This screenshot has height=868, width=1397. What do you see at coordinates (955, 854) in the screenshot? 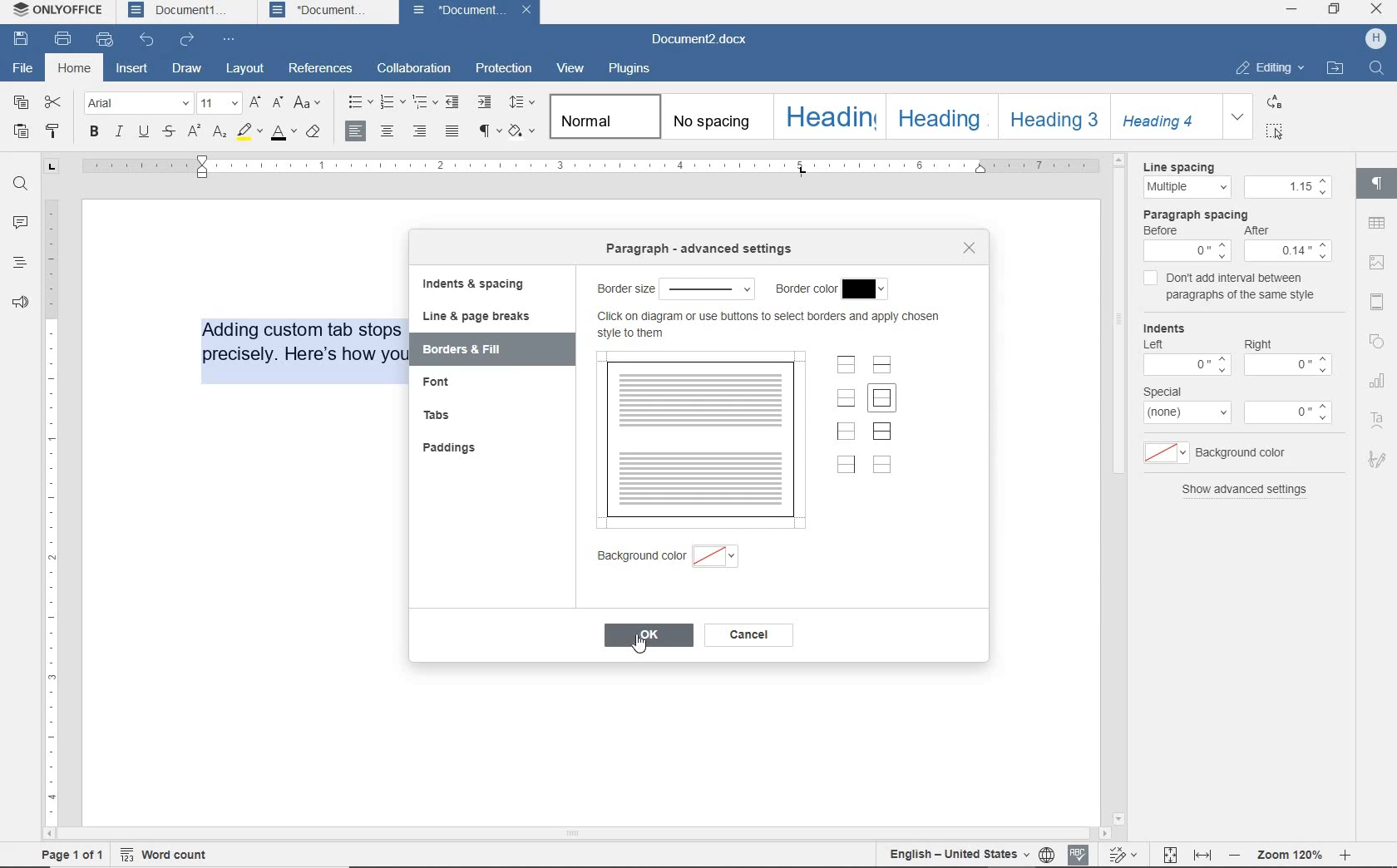
I see `track changes` at bounding box center [955, 854].